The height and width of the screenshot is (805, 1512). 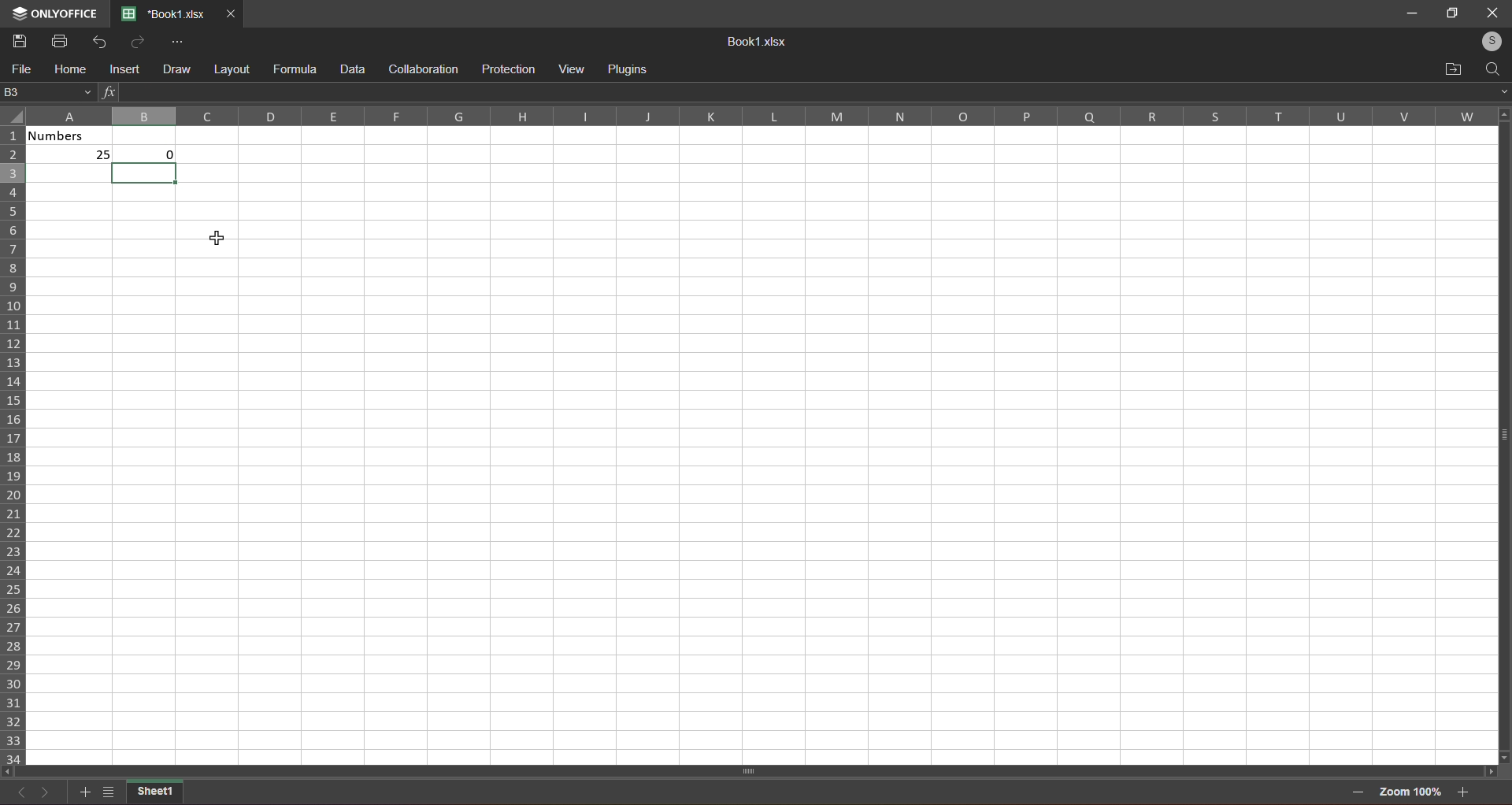 I want to click on layout, so click(x=231, y=69).